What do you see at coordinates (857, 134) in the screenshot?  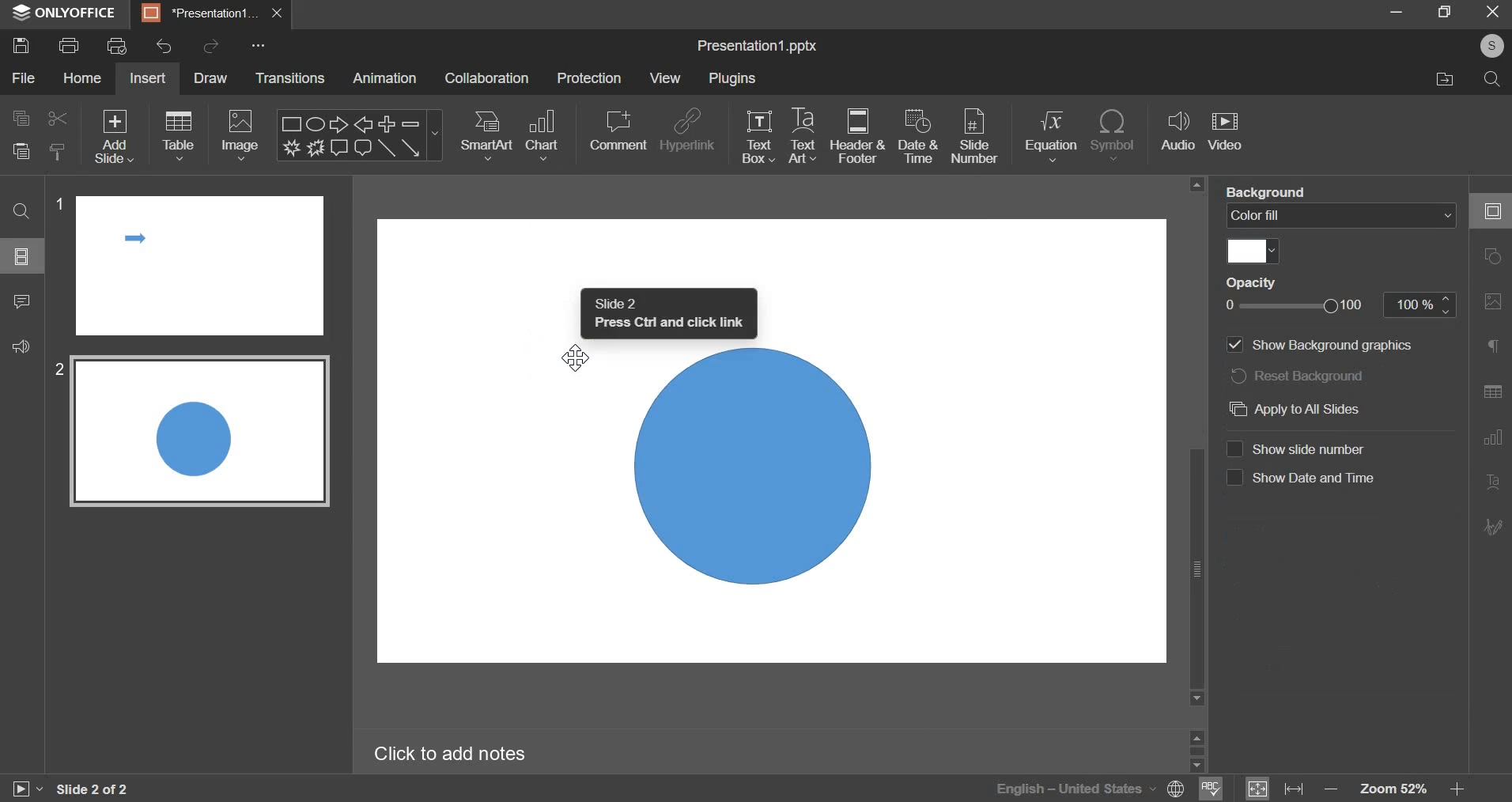 I see `header & footer` at bounding box center [857, 134].